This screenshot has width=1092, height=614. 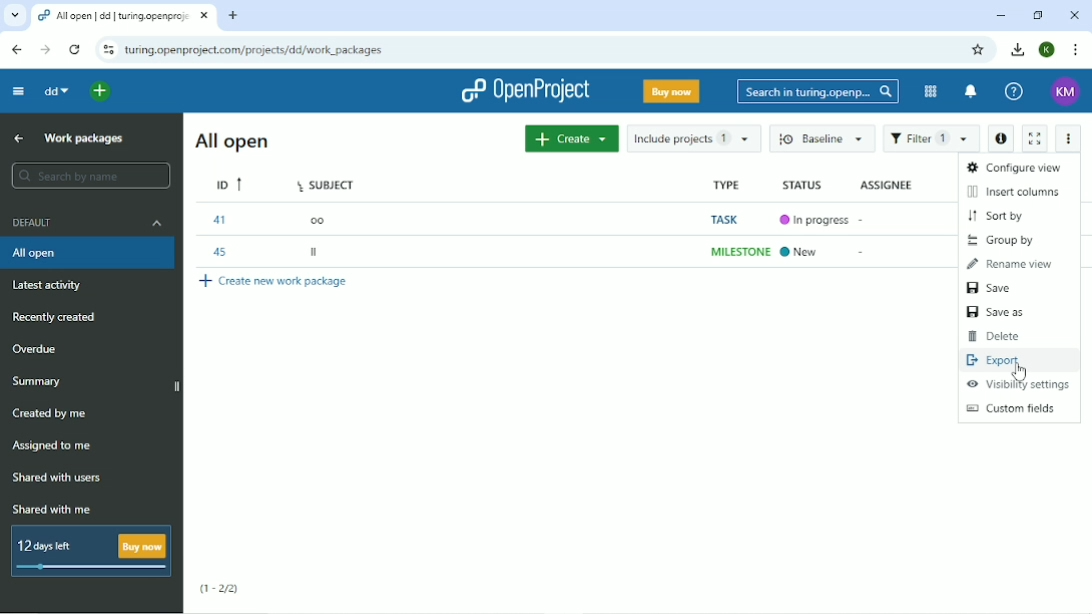 I want to click on Current tab, so click(x=126, y=16).